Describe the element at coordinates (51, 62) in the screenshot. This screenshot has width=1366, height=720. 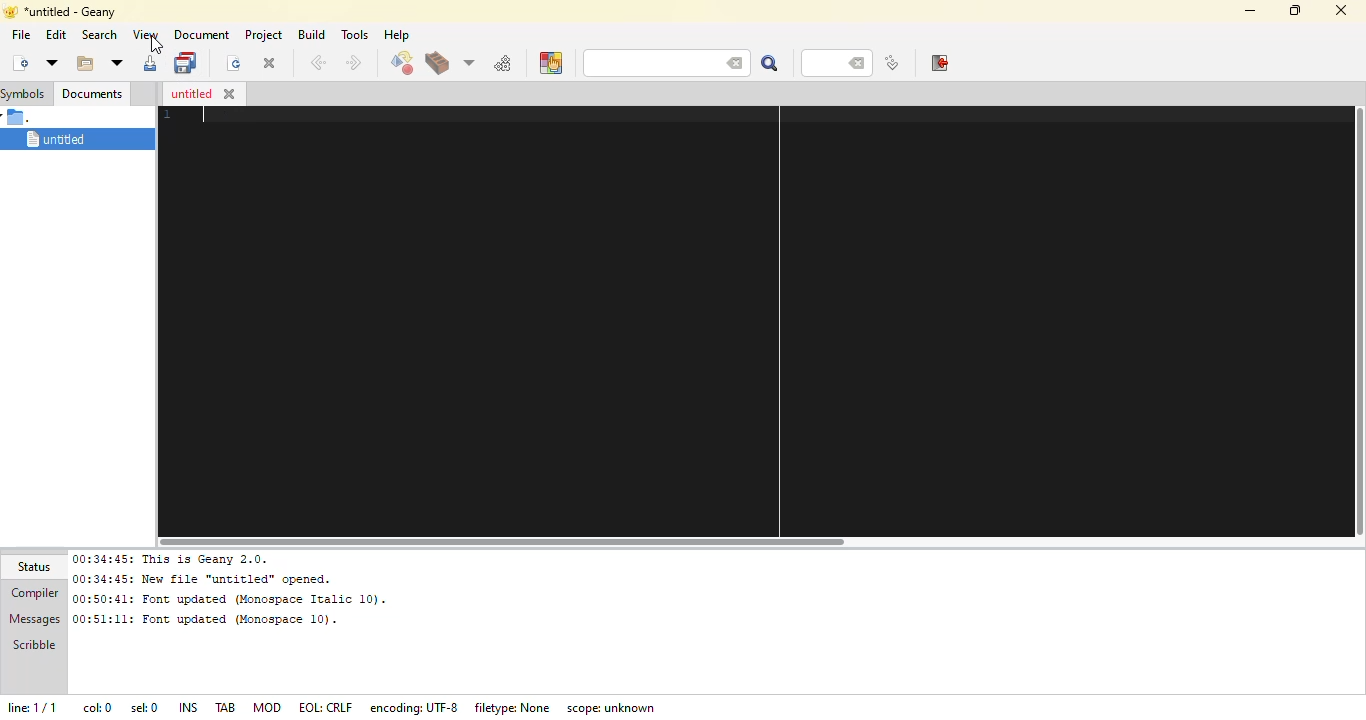
I see `new from template` at that location.